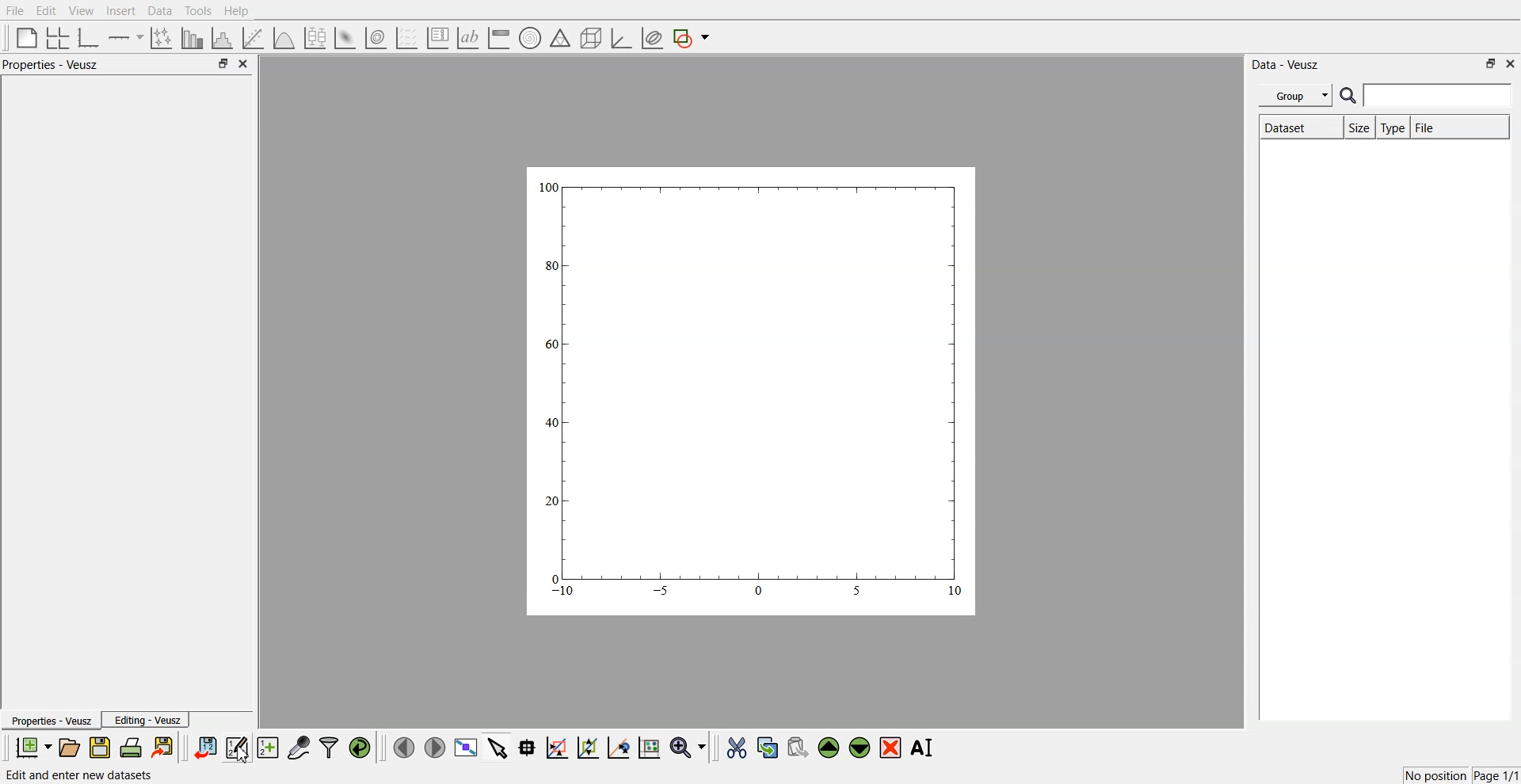 This screenshot has height=784, width=1521. Describe the element at coordinates (651, 39) in the screenshot. I see `plot covariance ellipses` at that location.